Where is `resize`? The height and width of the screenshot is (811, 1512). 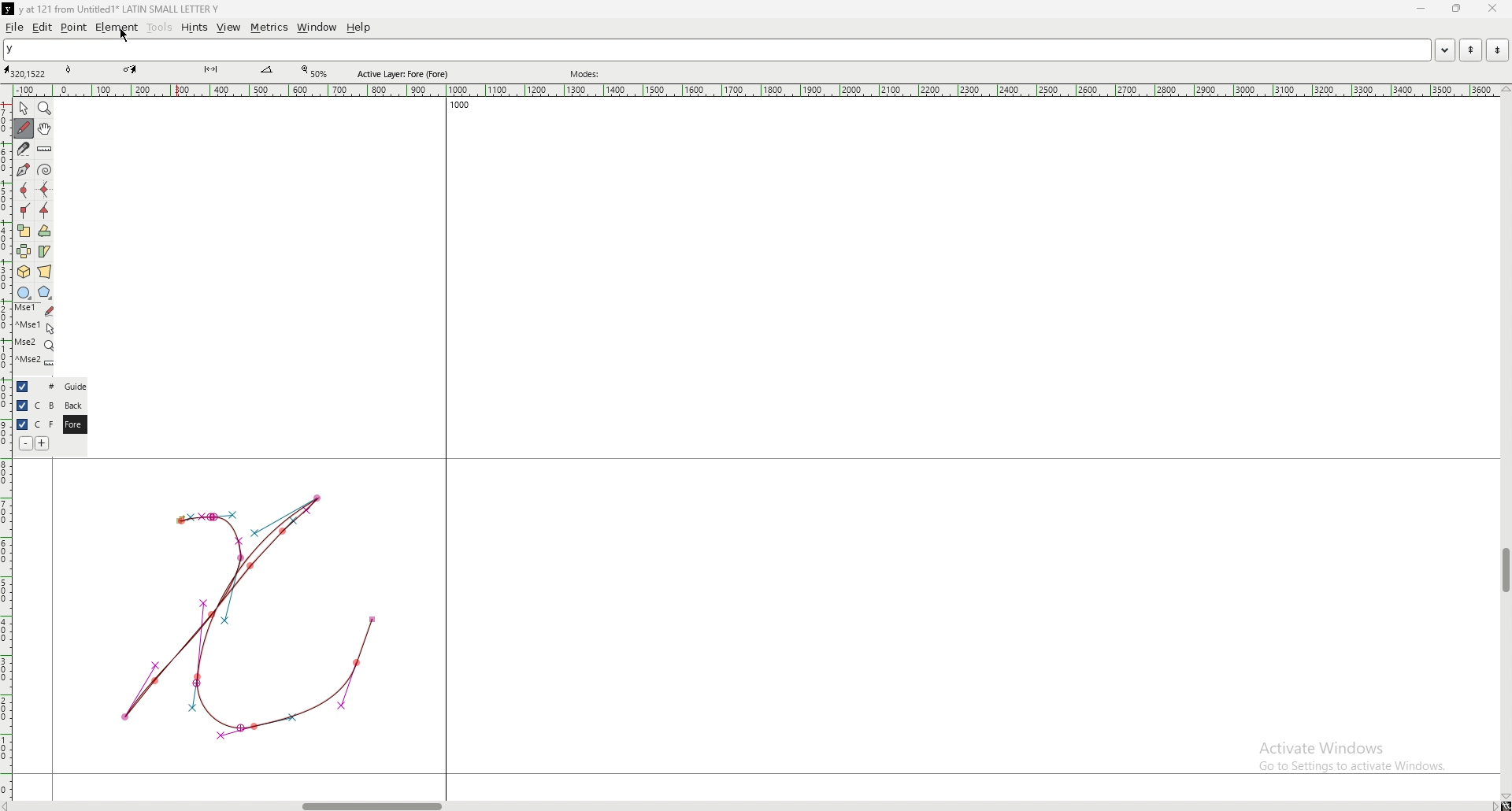
resize is located at coordinates (1455, 9).